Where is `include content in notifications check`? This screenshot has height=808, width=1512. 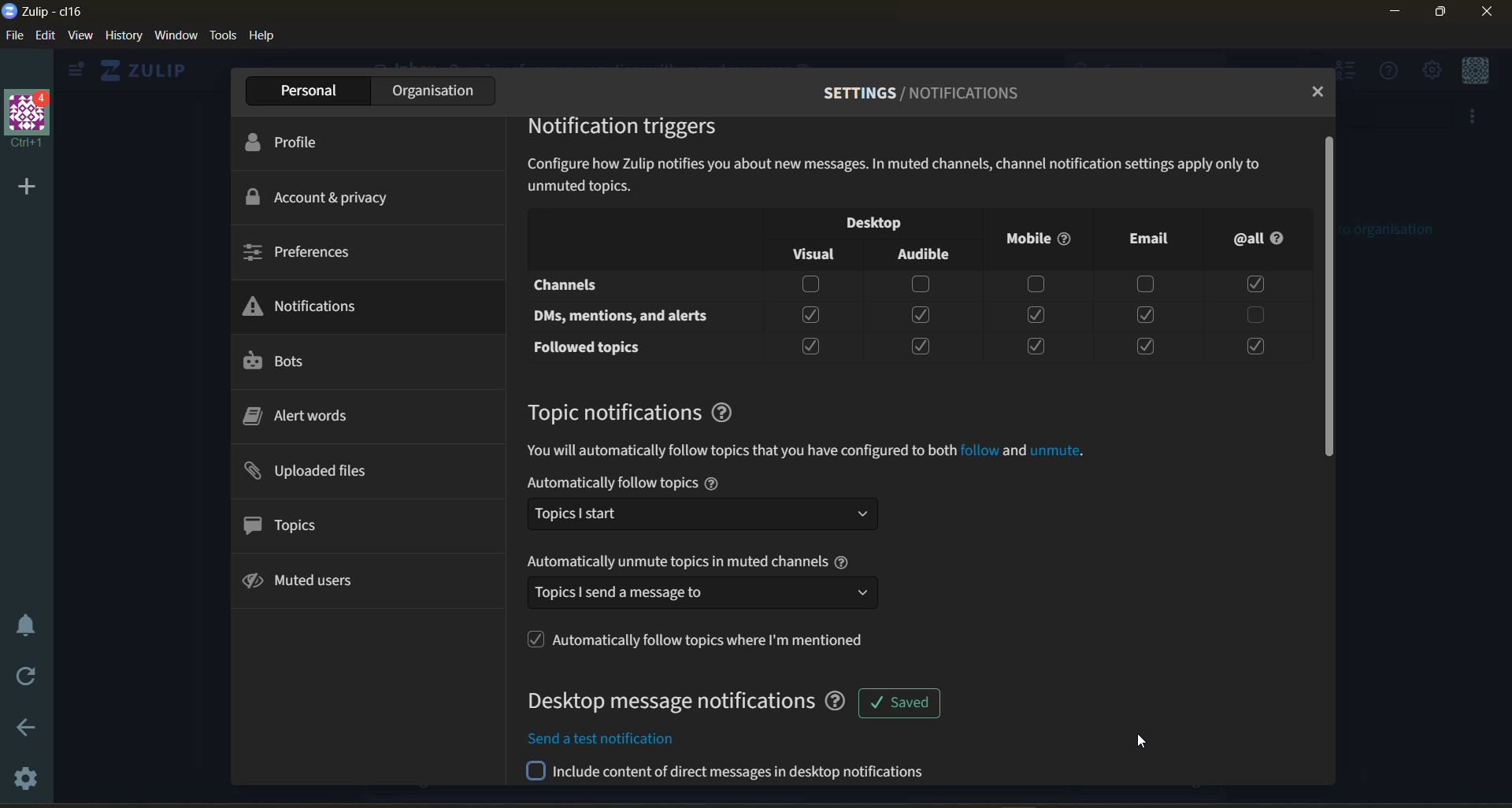 include content in notifications check is located at coordinates (718, 736).